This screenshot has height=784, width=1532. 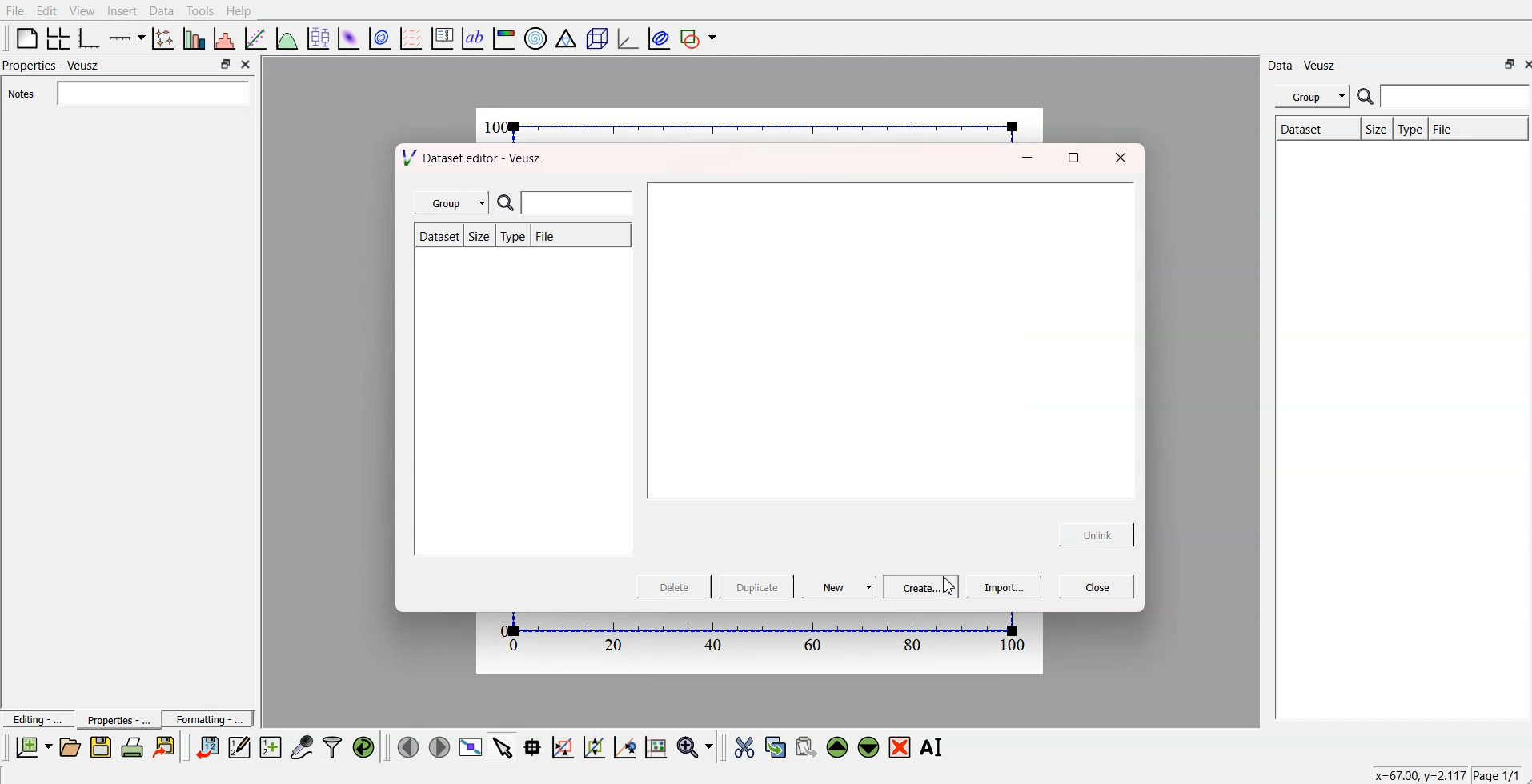 What do you see at coordinates (507, 202) in the screenshot?
I see `search icon` at bounding box center [507, 202].